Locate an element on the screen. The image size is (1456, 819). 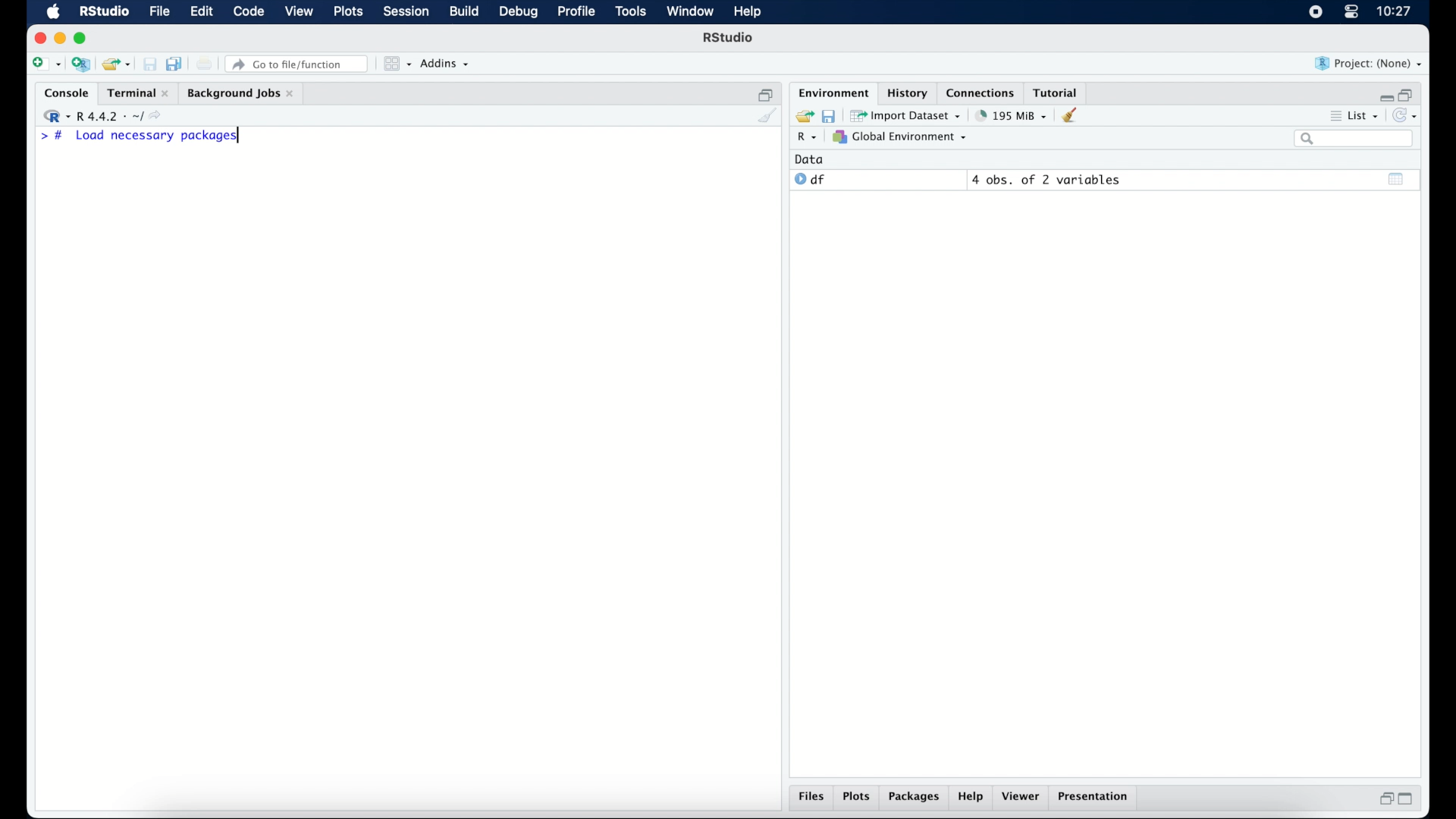
show output  window is located at coordinates (1397, 178).